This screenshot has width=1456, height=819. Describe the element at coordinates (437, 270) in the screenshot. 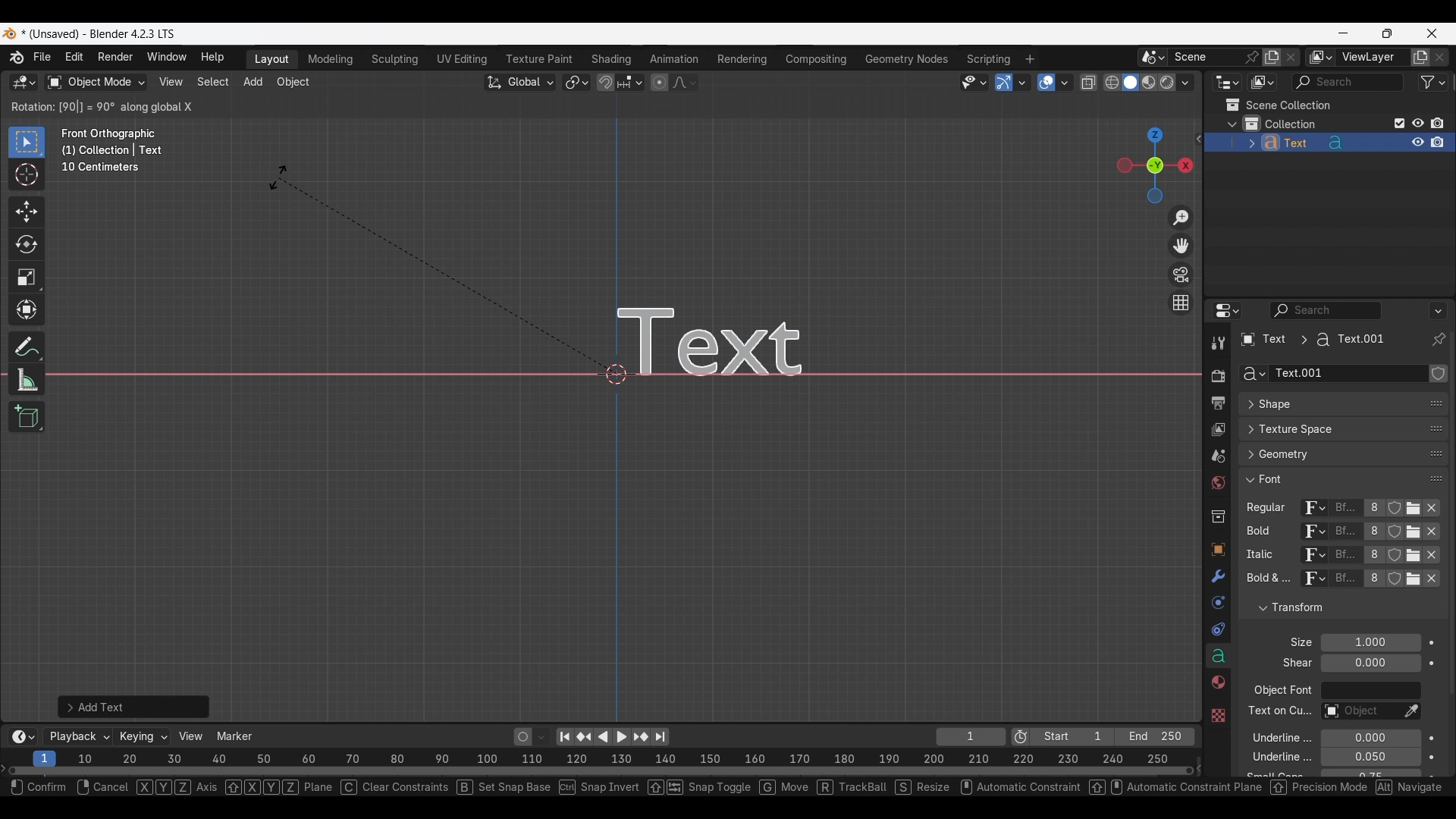

I see `Rotation tool` at that location.